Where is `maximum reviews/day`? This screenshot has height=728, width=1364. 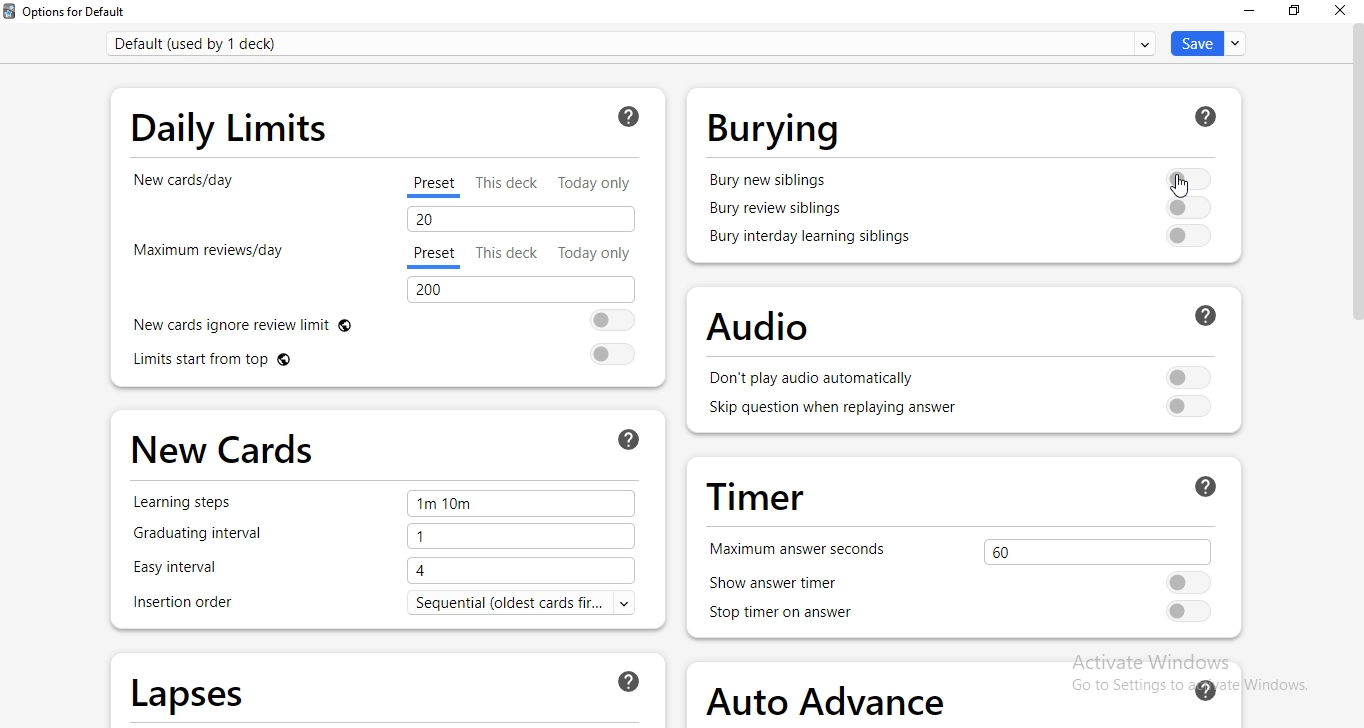 maximum reviews/day is located at coordinates (206, 259).